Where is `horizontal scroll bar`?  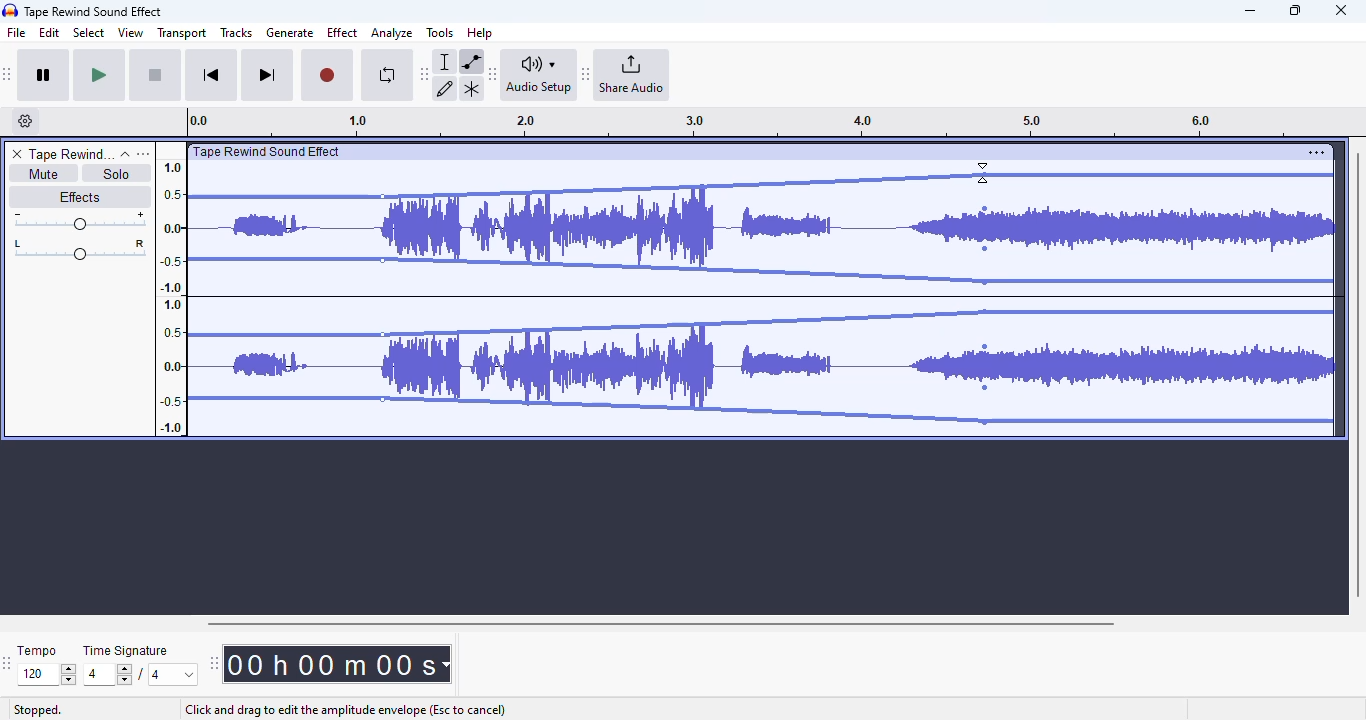
horizontal scroll bar is located at coordinates (660, 623).